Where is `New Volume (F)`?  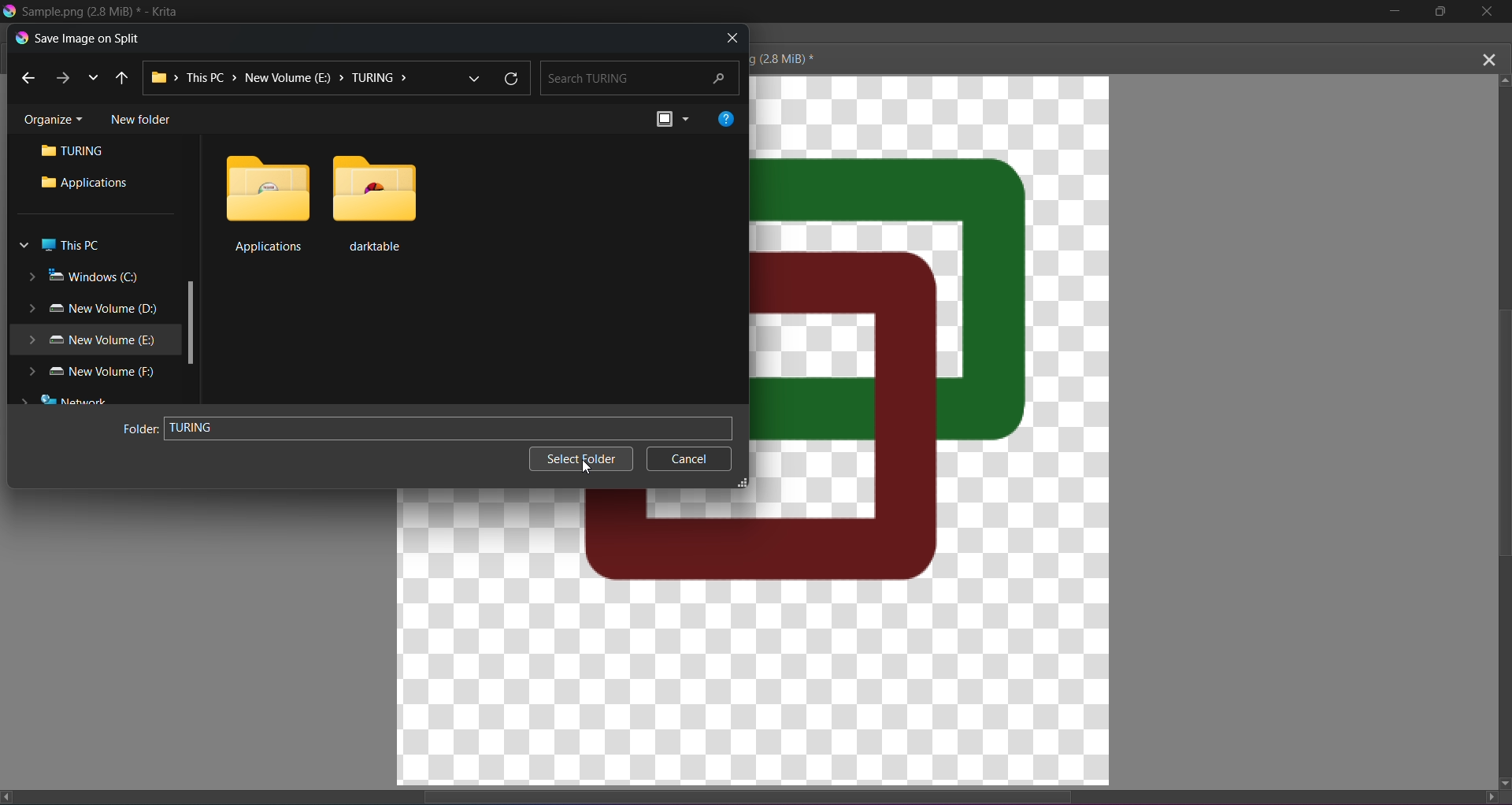
New Volume (F) is located at coordinates (87, 371).